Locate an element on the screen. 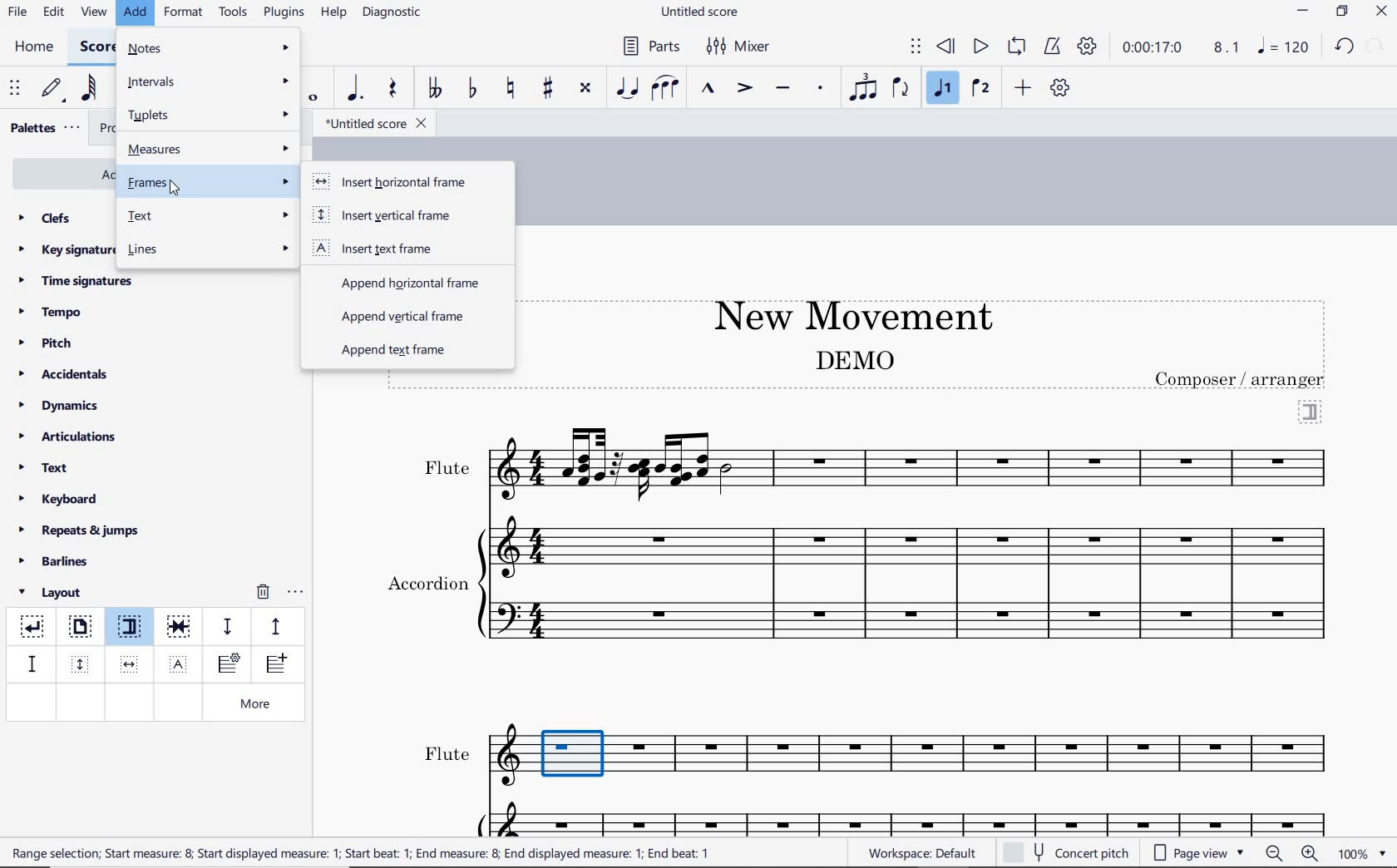 This screenshot has width=1397, height=868. insert horizontal is located at coordinates (130, 664).